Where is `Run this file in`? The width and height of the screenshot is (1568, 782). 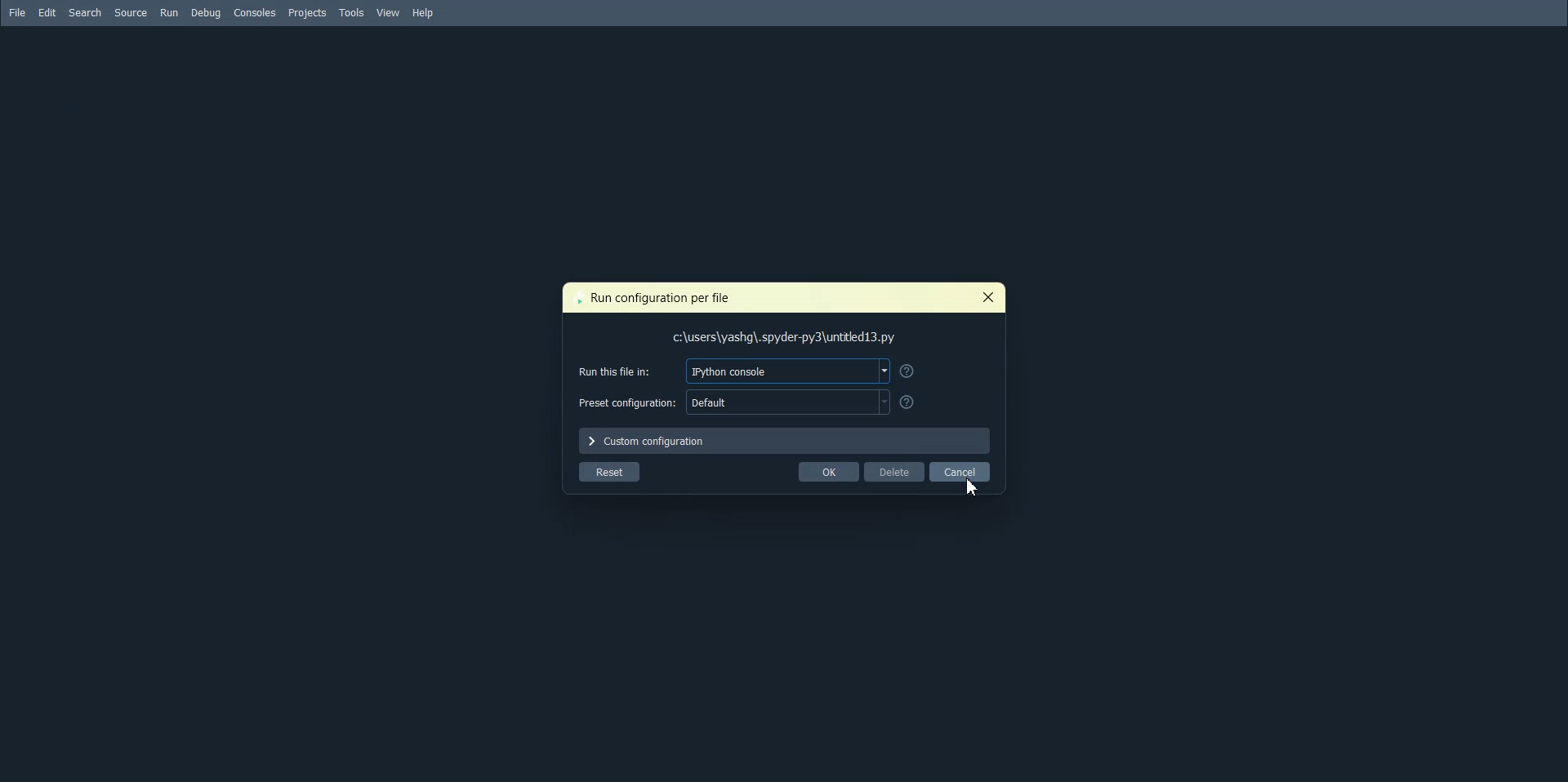 Run this file in is located at coordinates (732, 371).